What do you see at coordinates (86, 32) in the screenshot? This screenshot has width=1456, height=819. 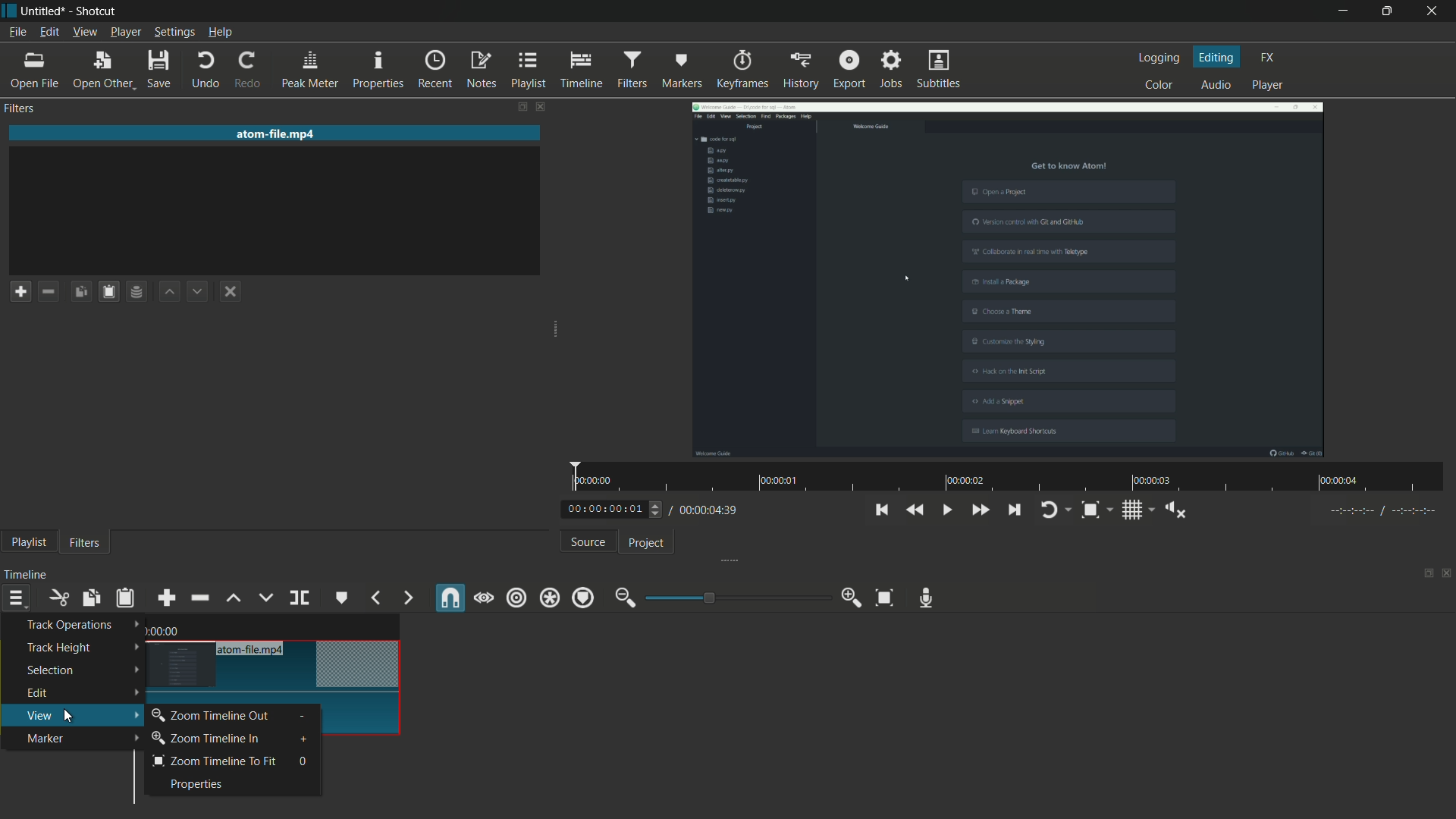 I see `view menu` at bounding box center [86, 32].